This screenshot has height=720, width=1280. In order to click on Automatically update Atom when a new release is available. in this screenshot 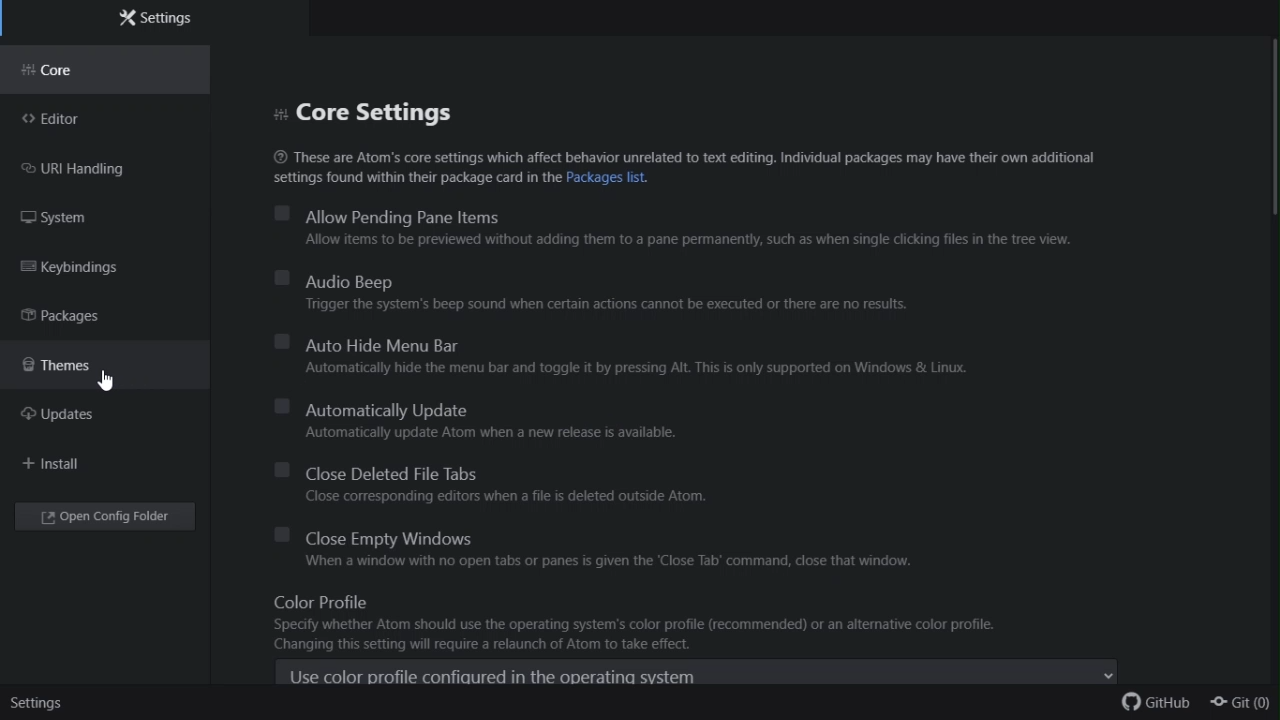, I will do `click(491, 432)`.